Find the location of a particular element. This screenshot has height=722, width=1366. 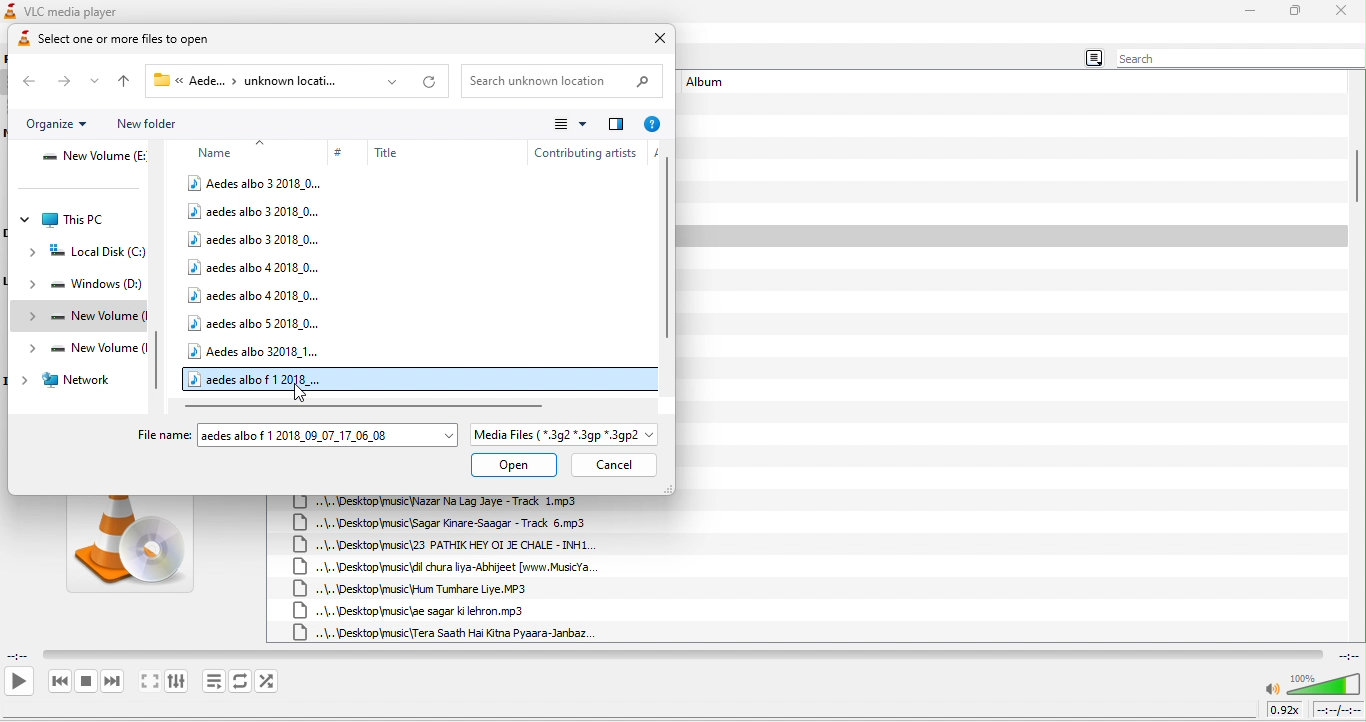

aedes albo f 1 2018_09_07_17_06_08 is located at coordinates (328, 434).